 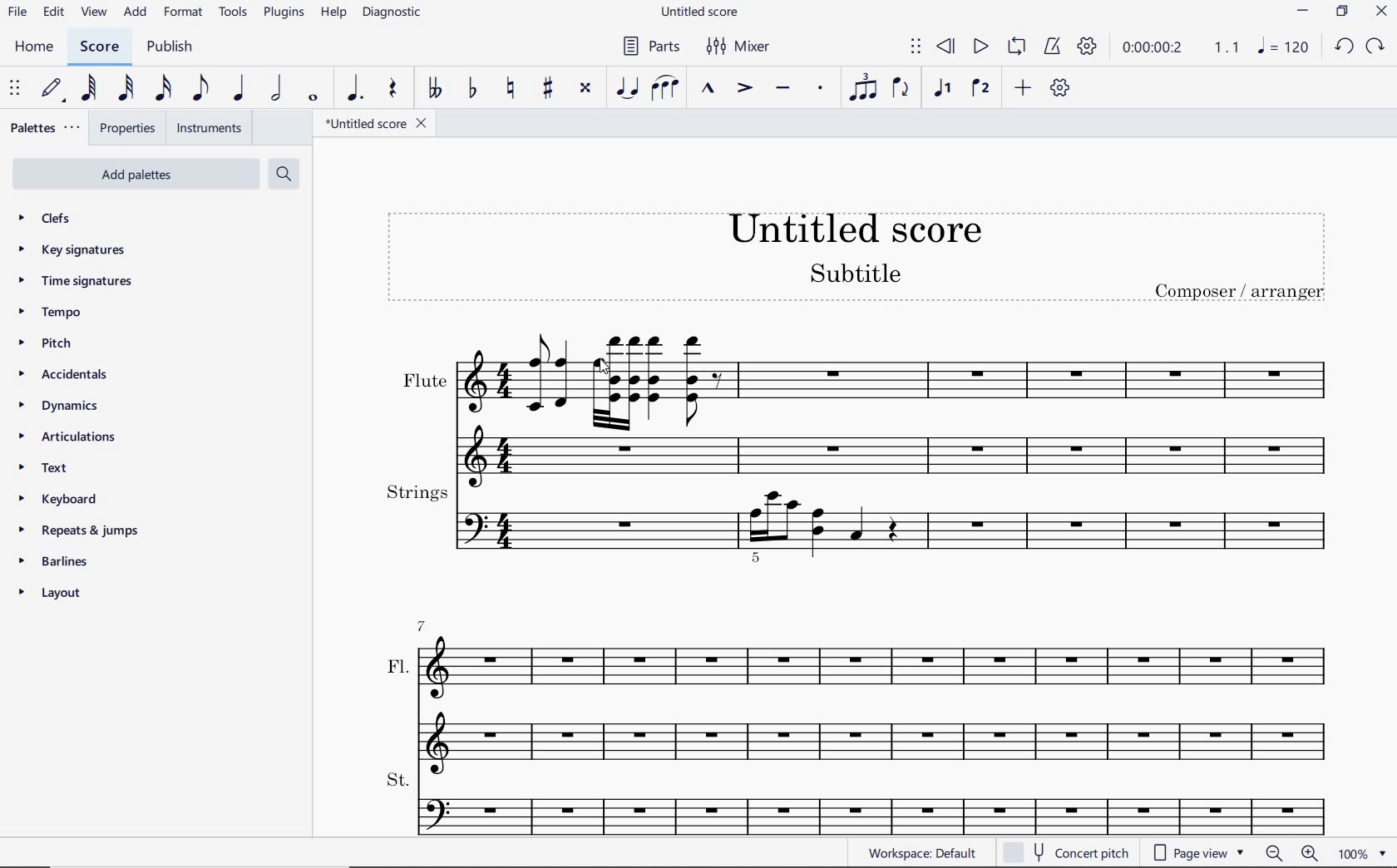 What do you see at coordinates (17, 11) in the screenshot?
I see `file` at bounding box center [17, 11].